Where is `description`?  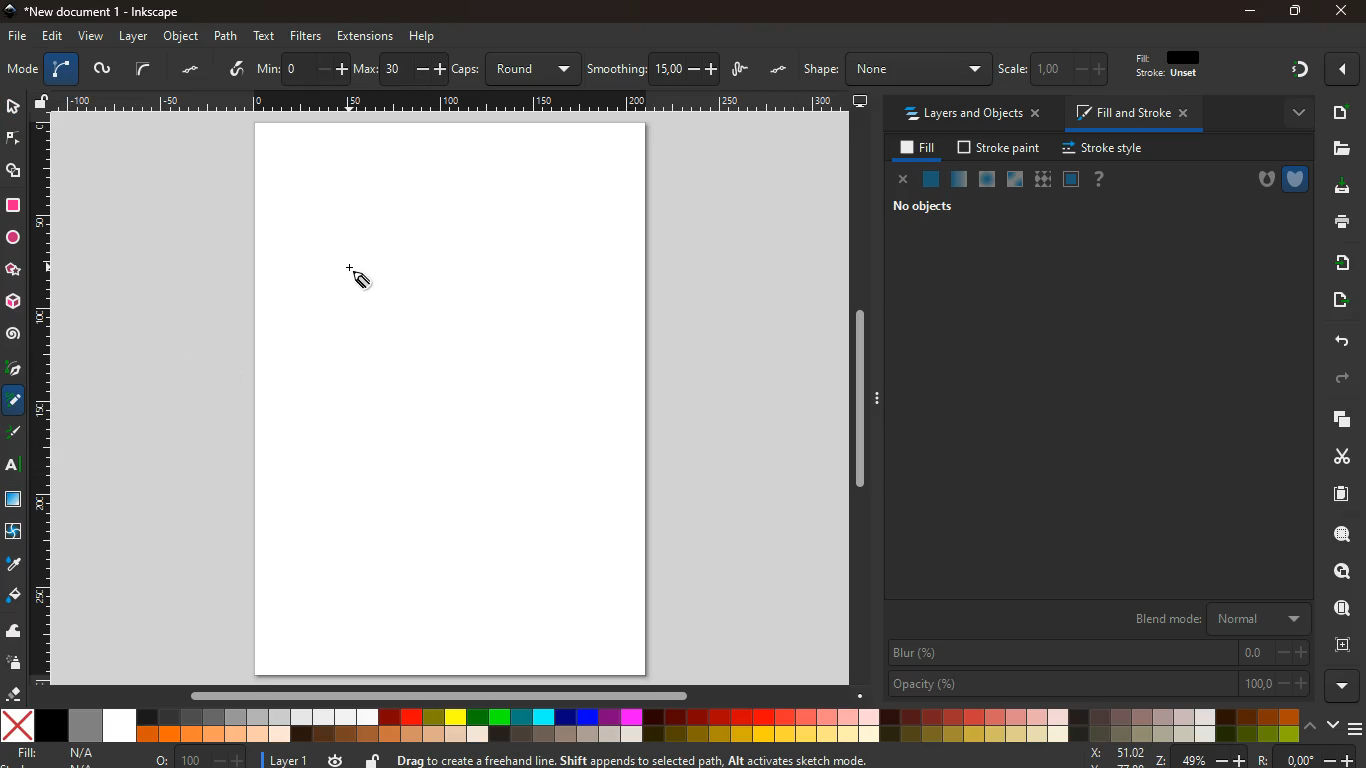
description is located at coordinates (680, 758).